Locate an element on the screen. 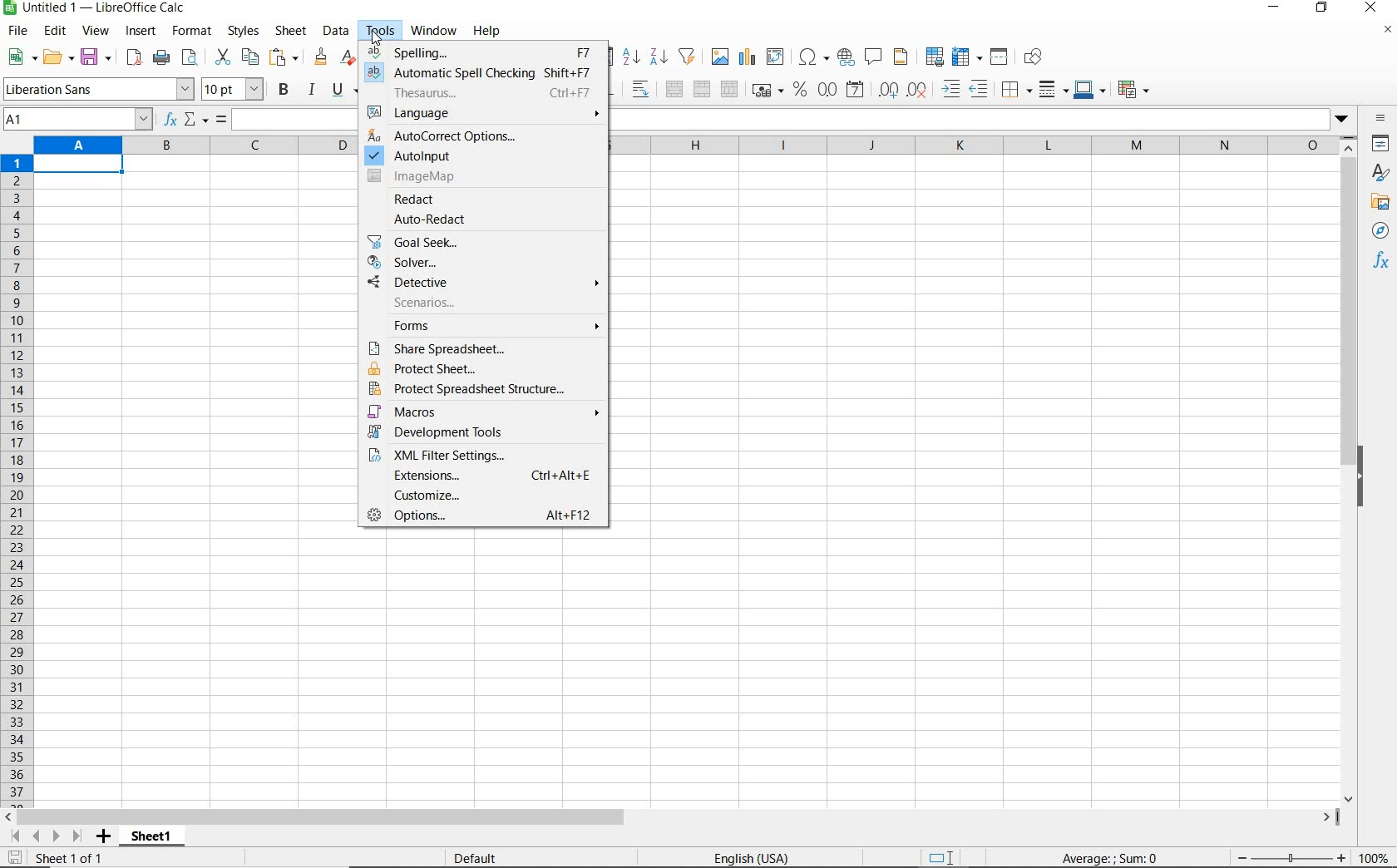 The height and width of the screenshot is (868, 1397). borders is located at coordinates (1014, 89).